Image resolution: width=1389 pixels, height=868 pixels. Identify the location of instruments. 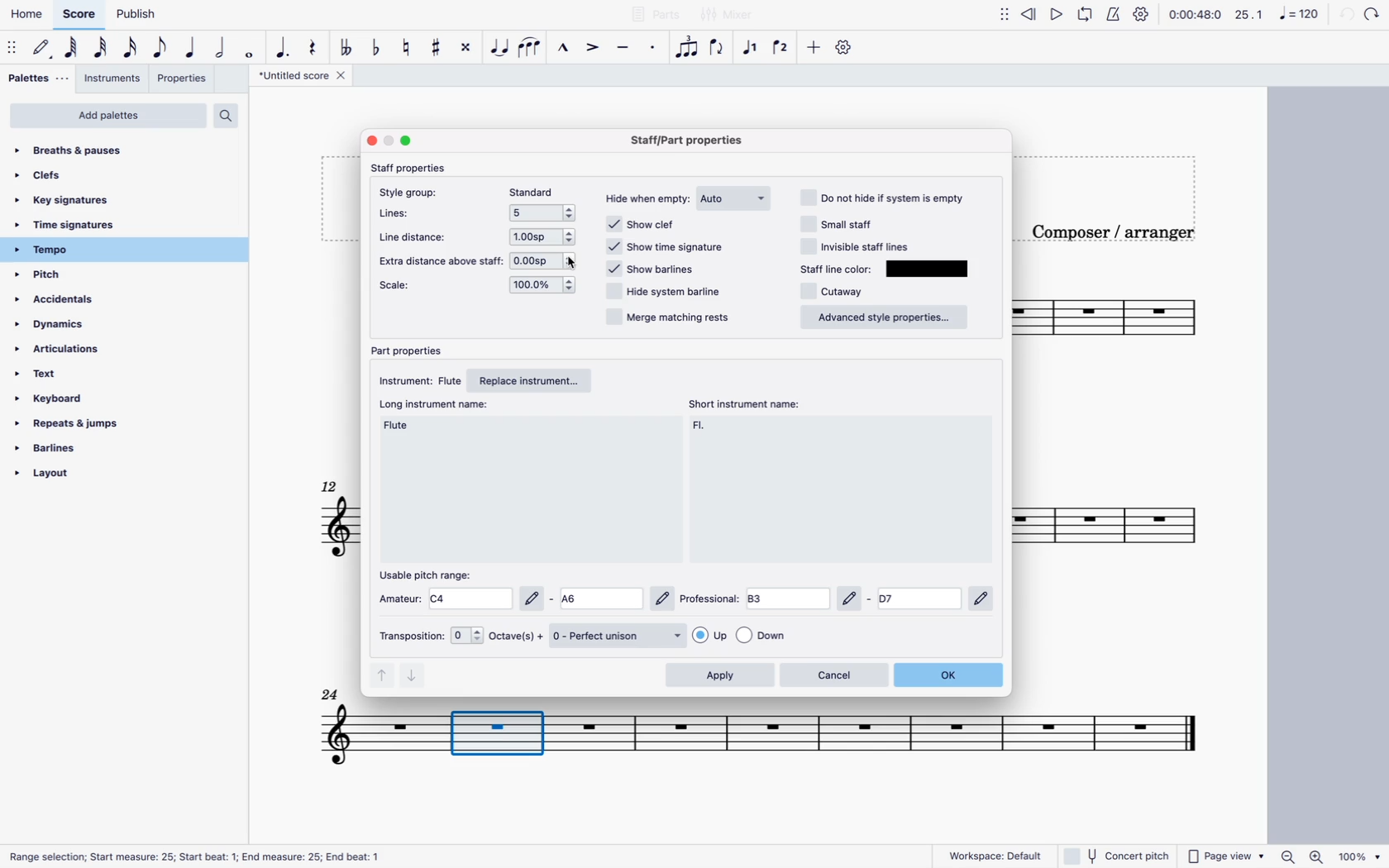
(113, 79).